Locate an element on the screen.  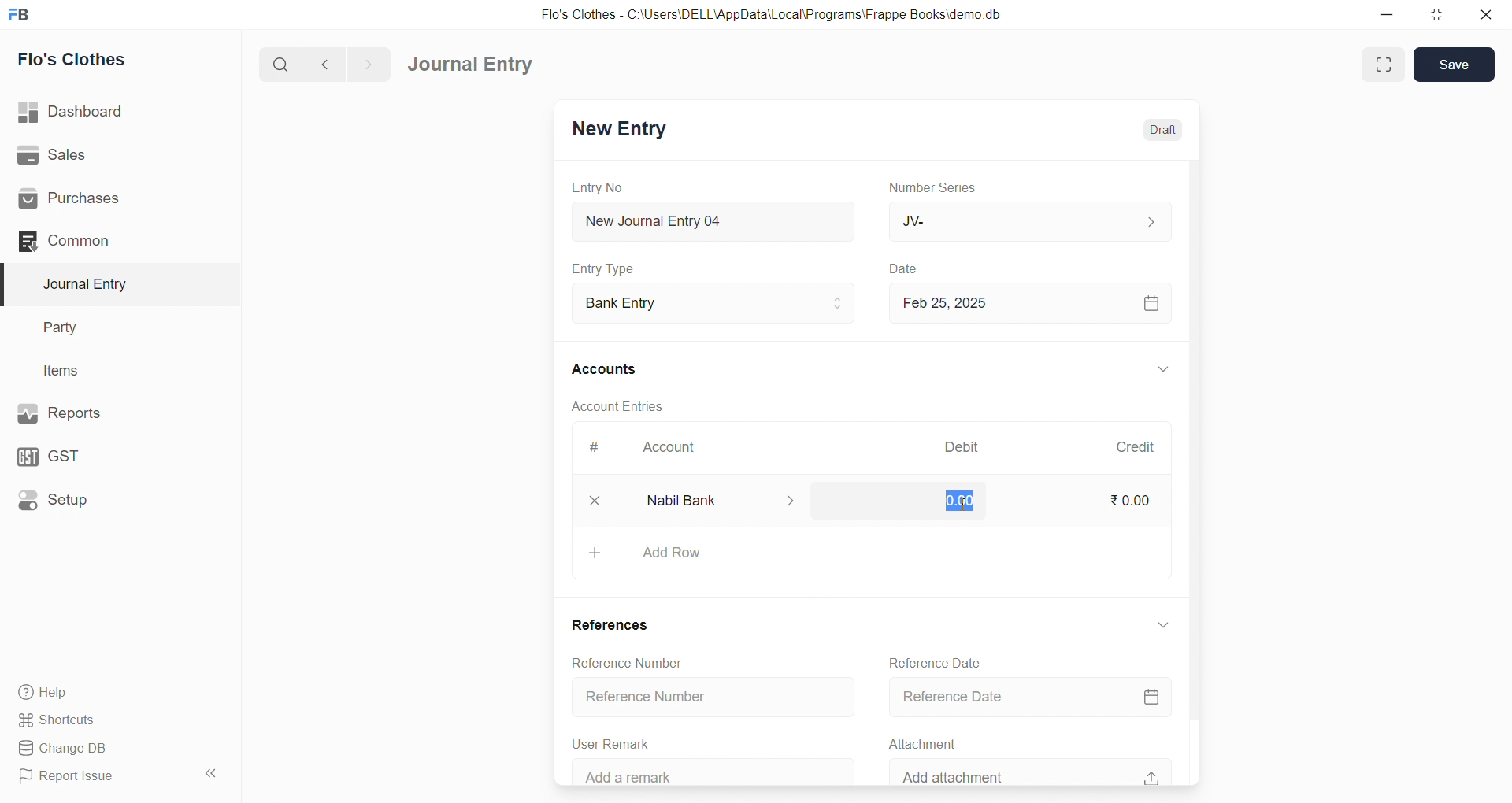
JV- is located at coordinates (1027, 220).